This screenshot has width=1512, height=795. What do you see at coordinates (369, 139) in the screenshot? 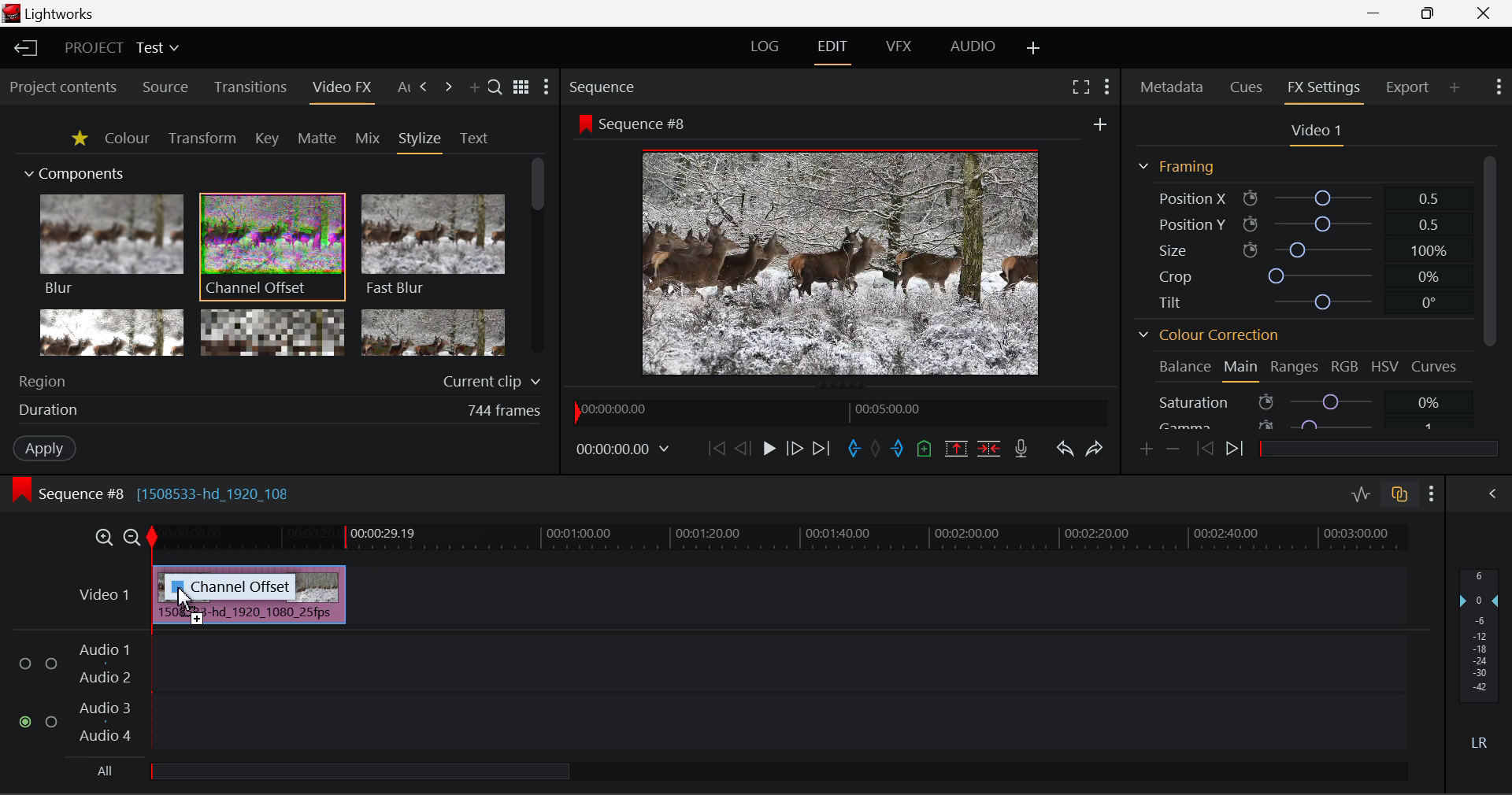
I see `Mix` at bounding box center [369, 139].